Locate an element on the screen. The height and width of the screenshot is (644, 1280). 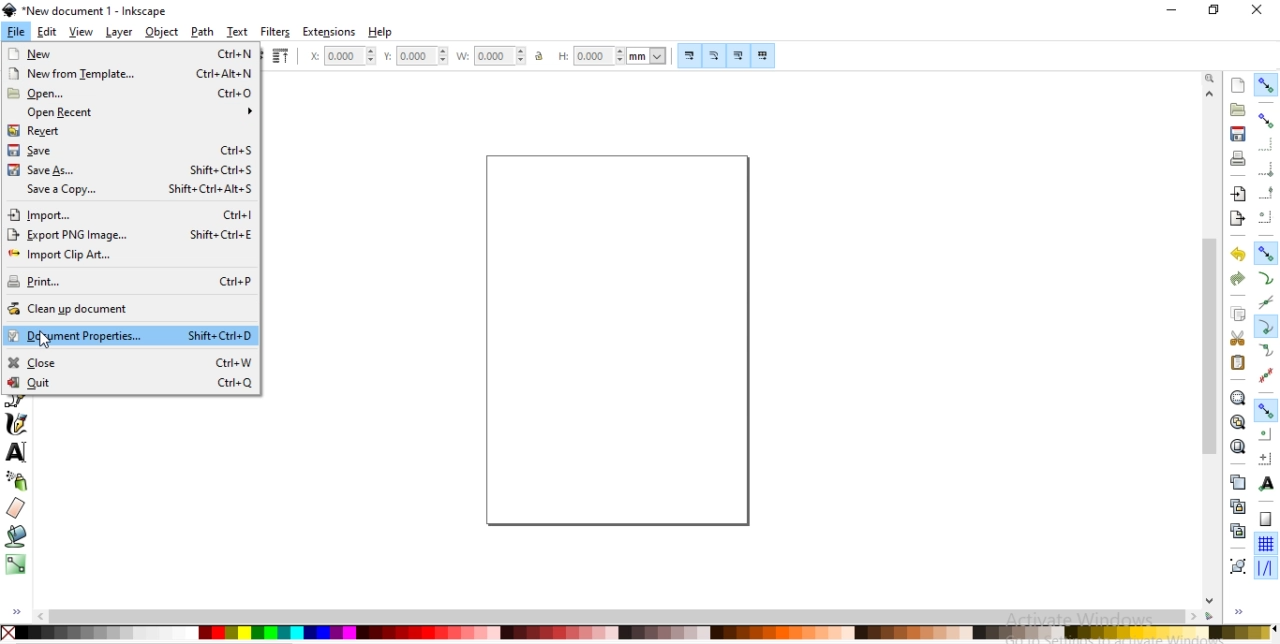
fill bounded areas is located at coordinates (16, 536).